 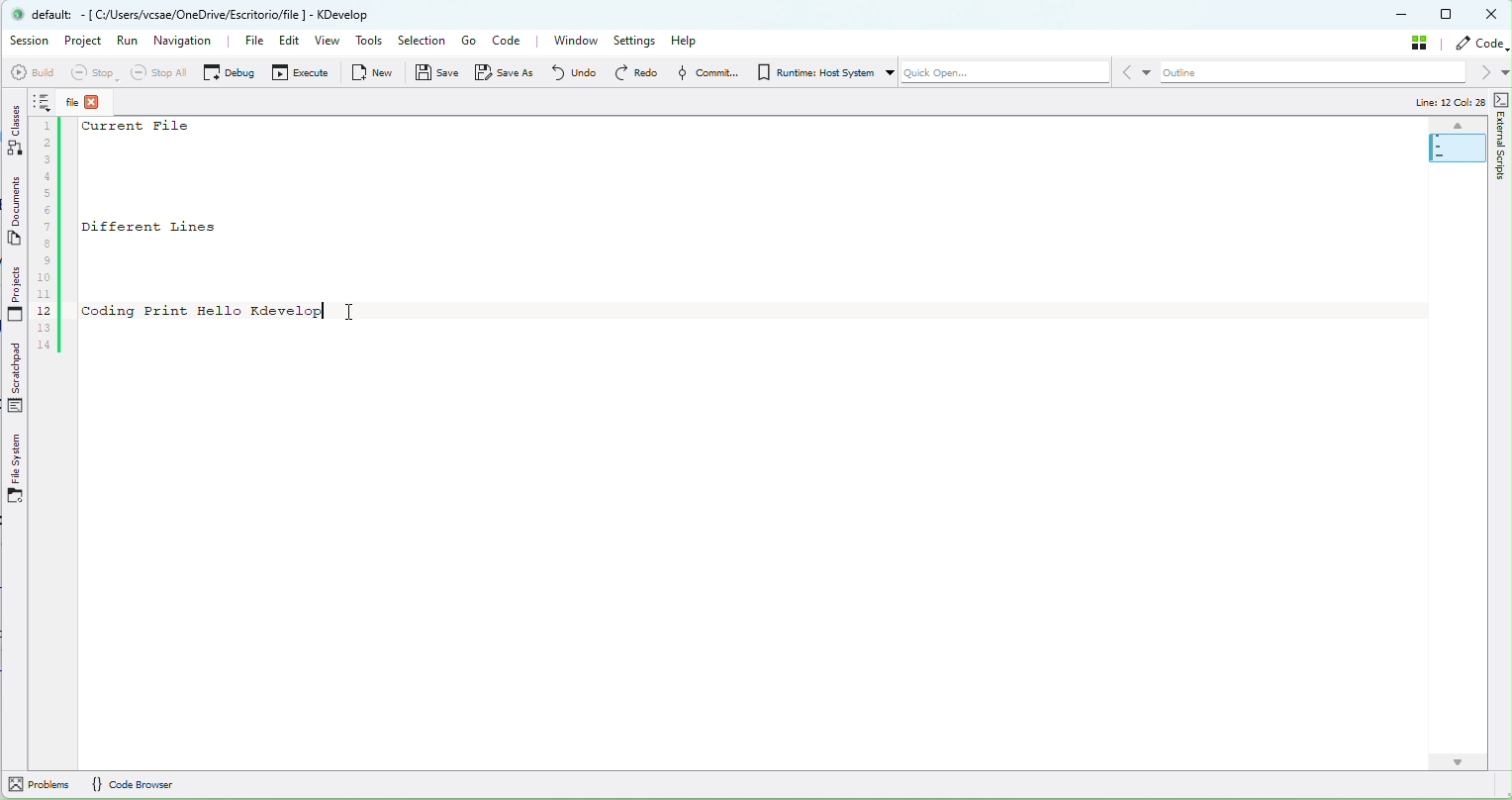 What do you see at coordinates (1443, 103) in the screenshot?
I see `Line: 12 Col: 28` at bounding box center [1443, 103].